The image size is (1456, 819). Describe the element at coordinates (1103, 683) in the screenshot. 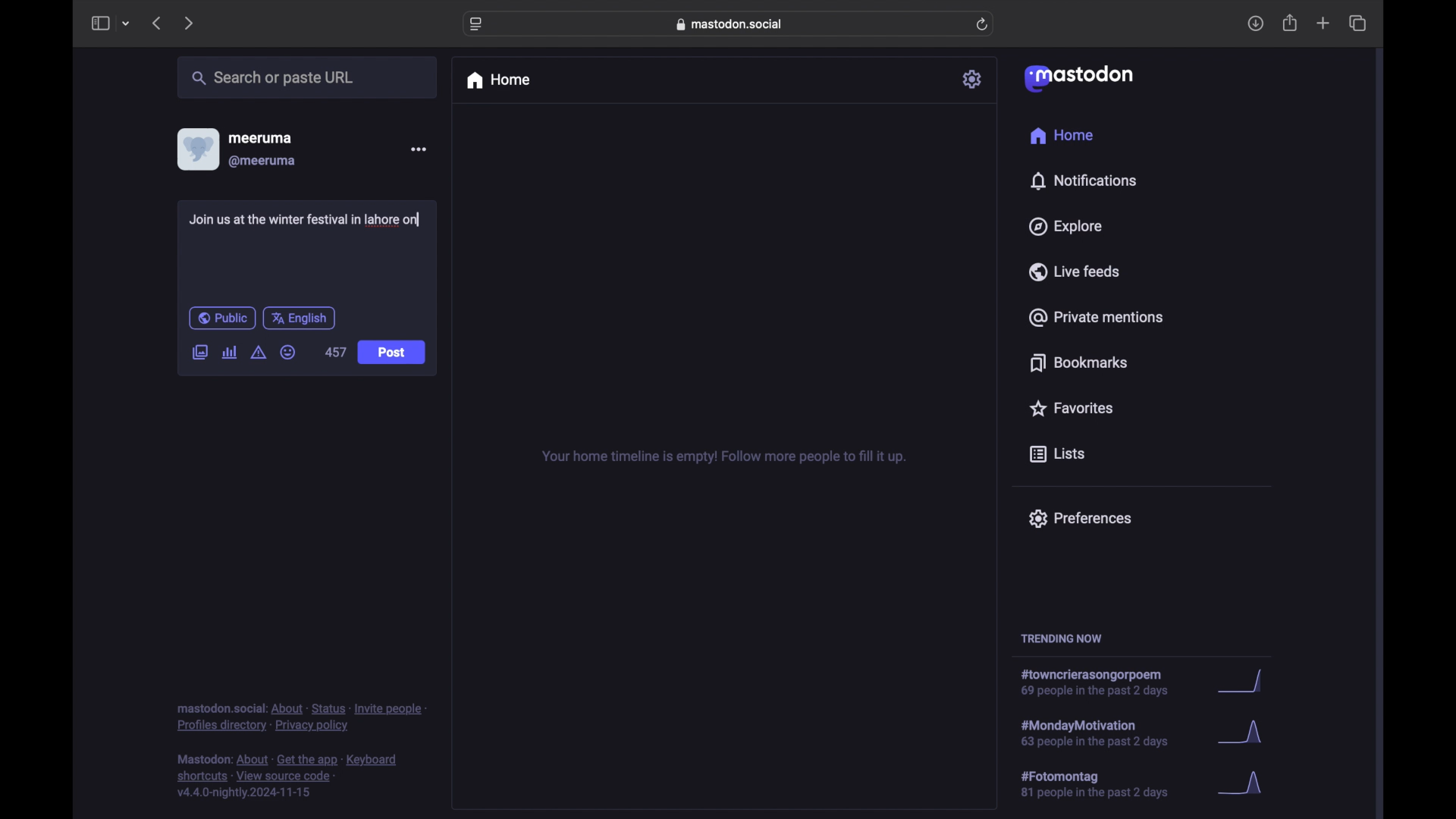

I see `hashtag trend` at that location.